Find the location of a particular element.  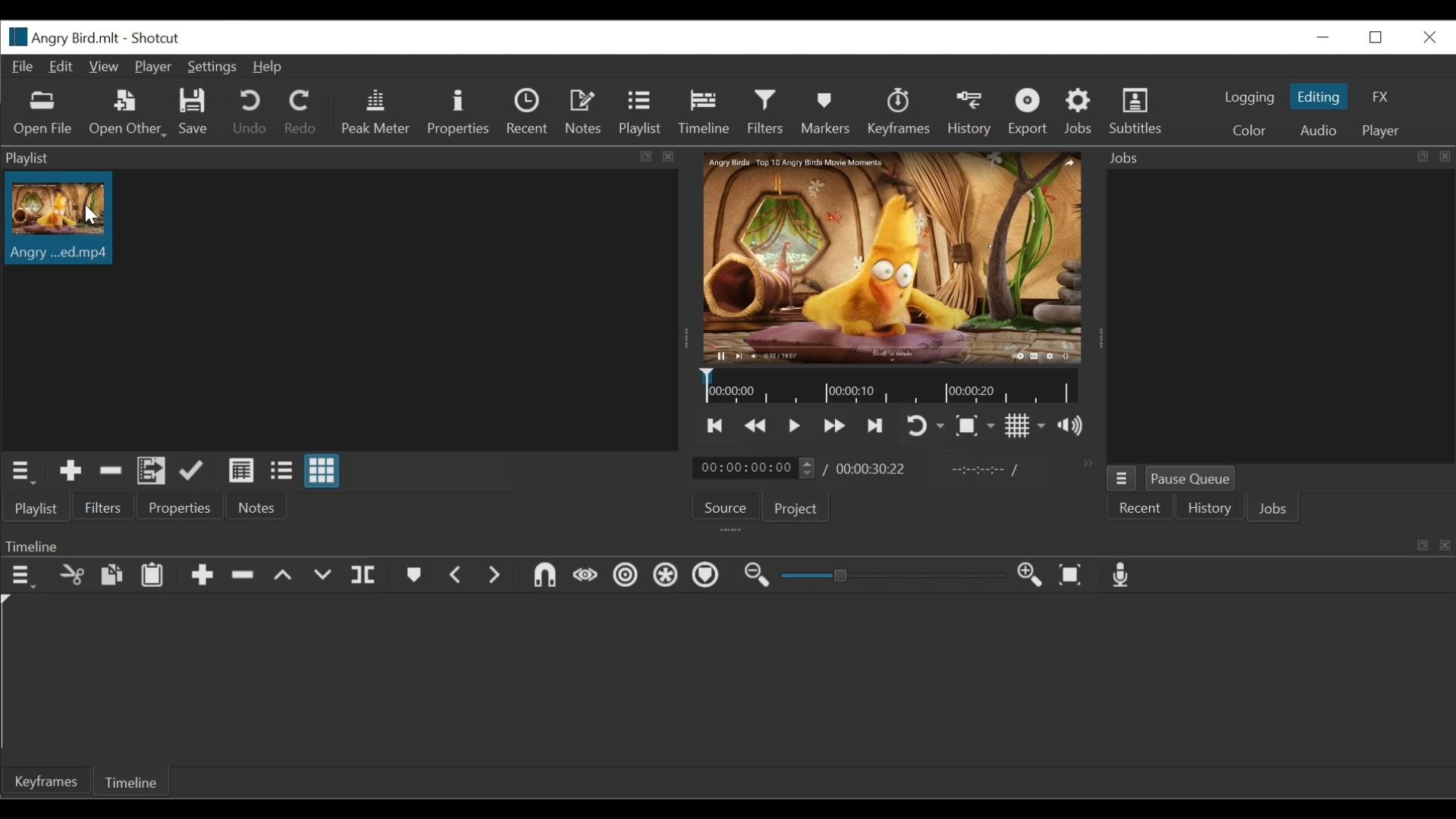

Ripple all tracks is located at coordinates (667, 577).